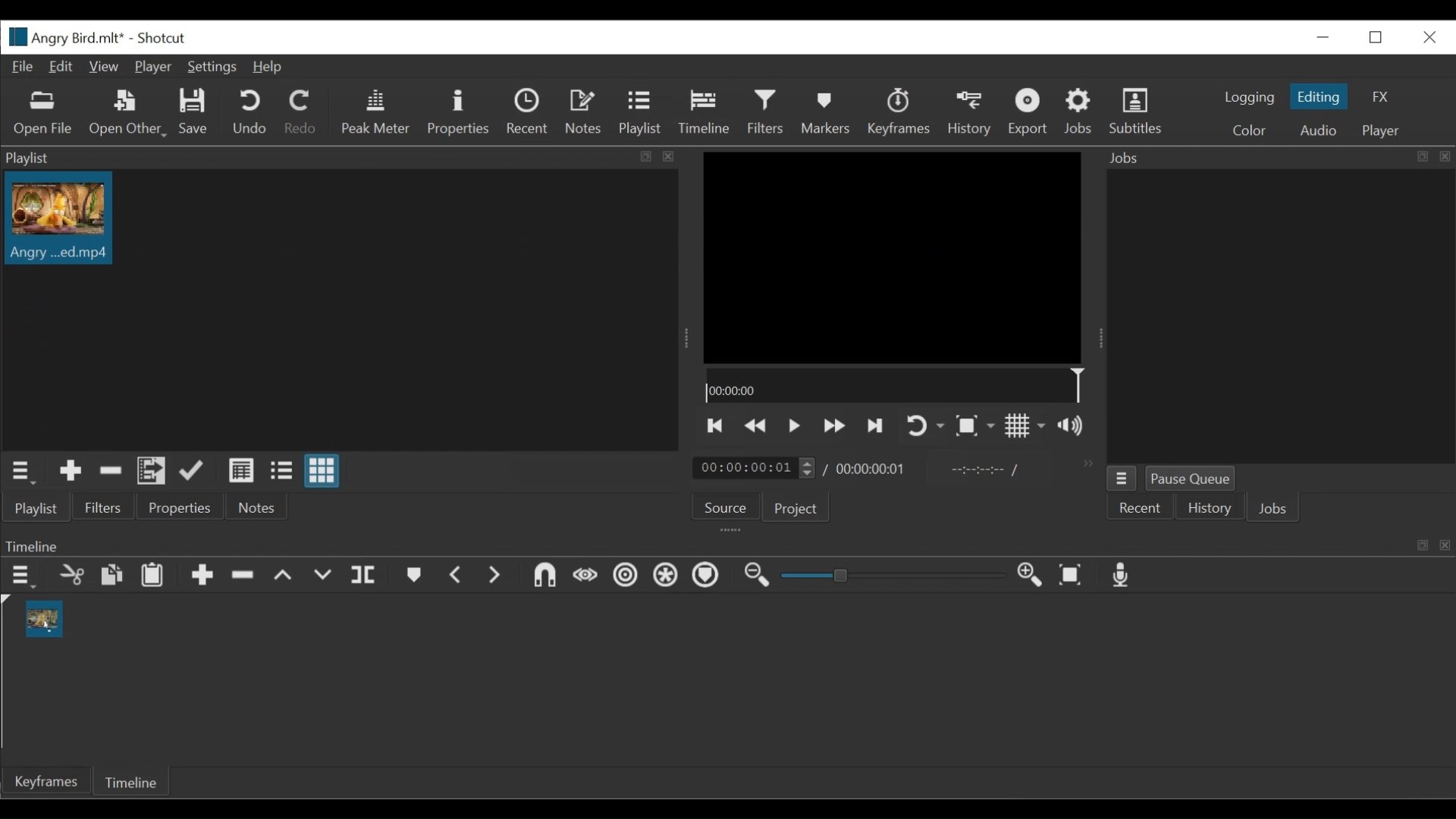  Describe the element at coordinates (874, 470) in the screenshot. I see `Total Duration` at that location.